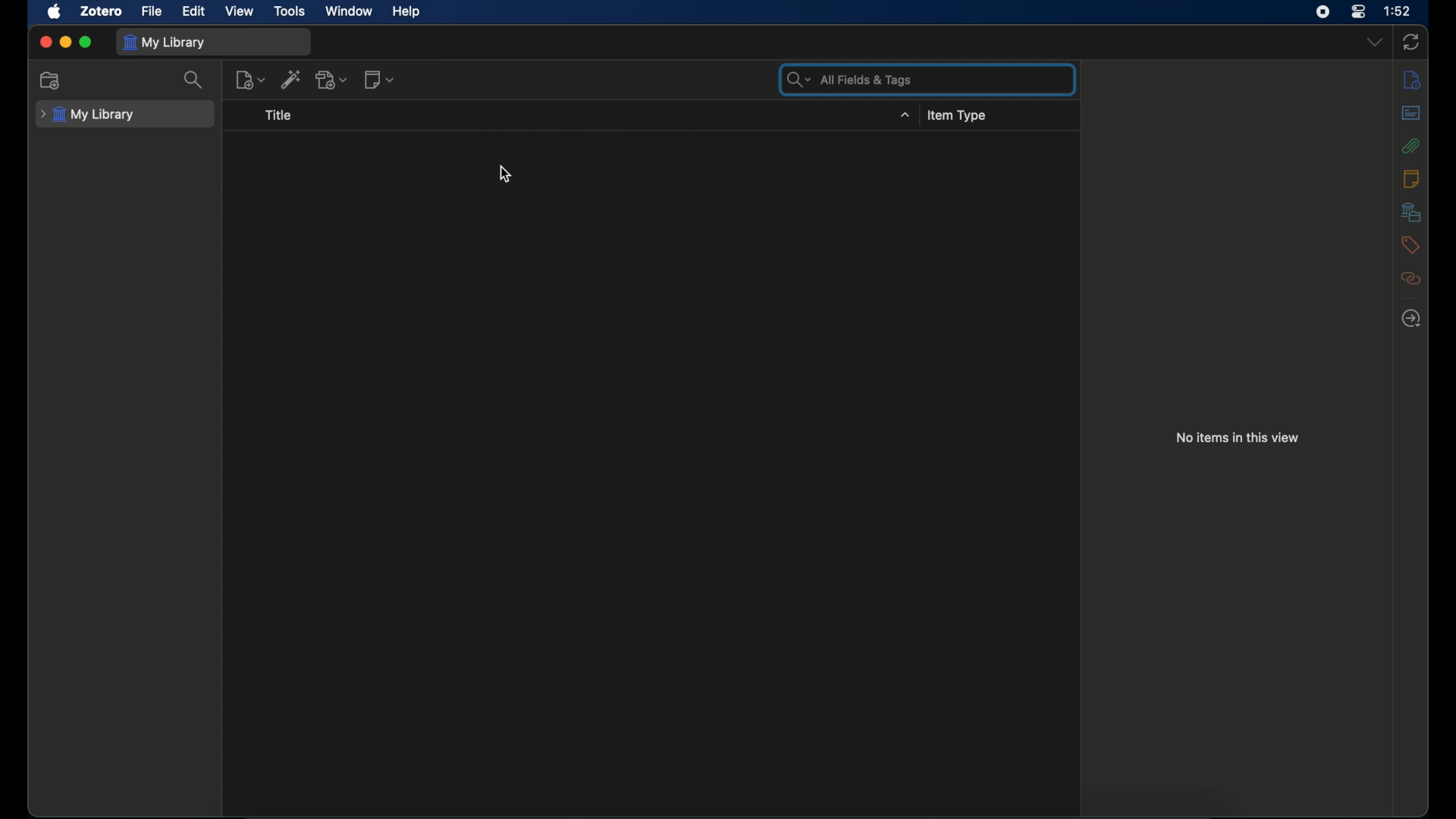  I want to click on title dropdown menu, so click(905, 115).